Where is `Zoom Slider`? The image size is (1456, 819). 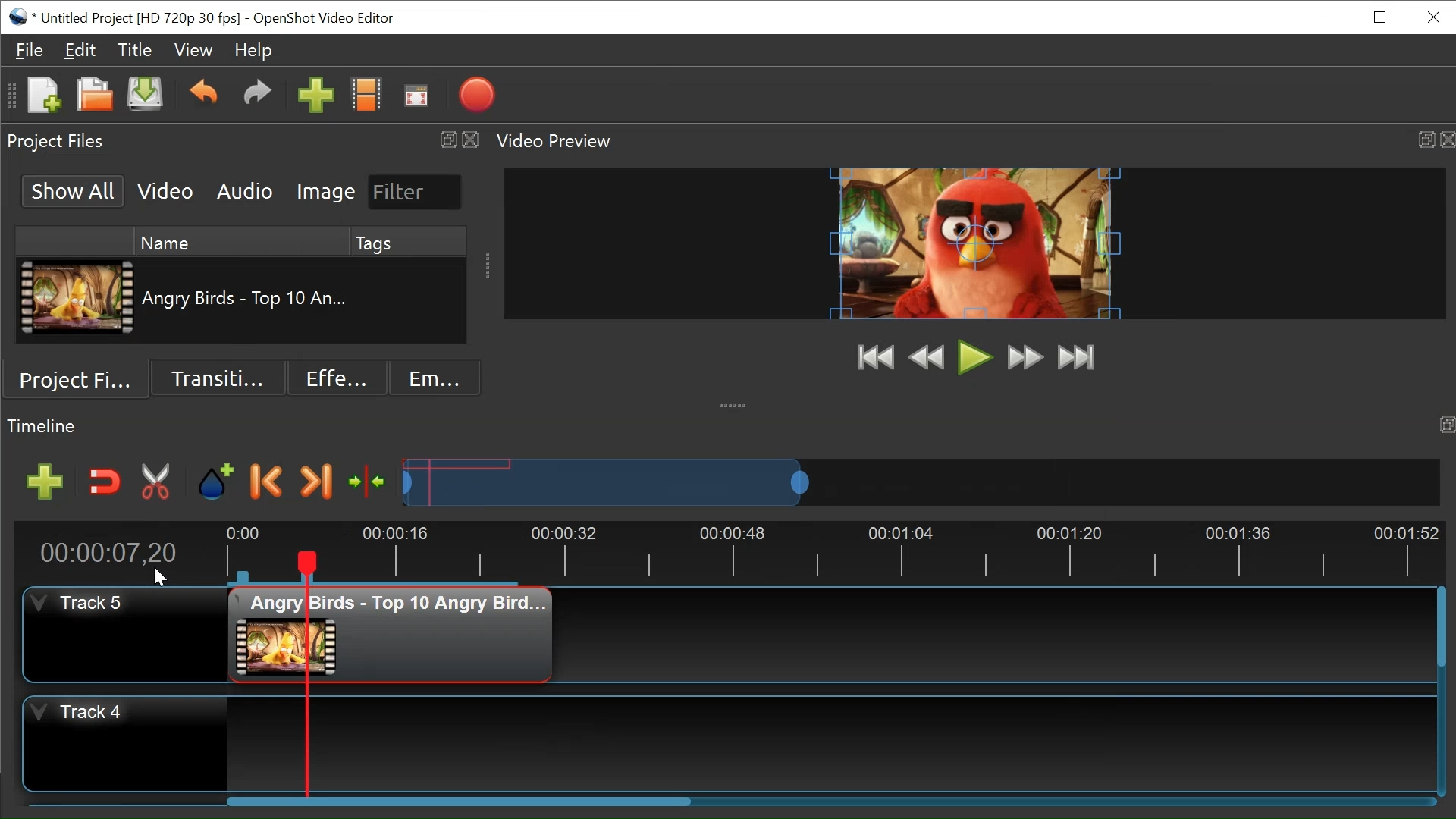 Zoom Slider is located at coordinates (921, 483).